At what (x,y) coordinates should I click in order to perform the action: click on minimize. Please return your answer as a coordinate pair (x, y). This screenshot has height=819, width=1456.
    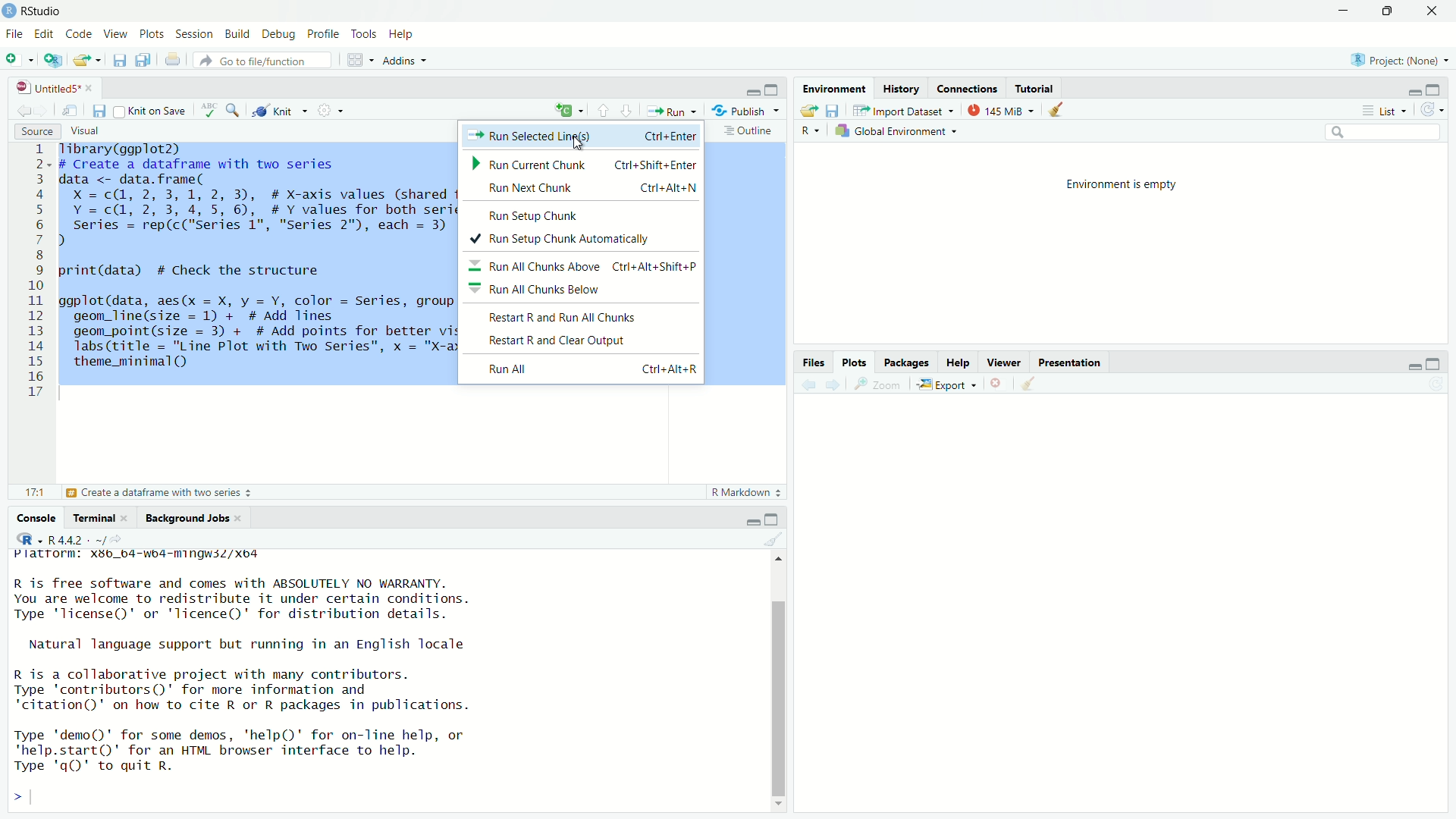
    Looking at the image, I should click on (1414, 93).